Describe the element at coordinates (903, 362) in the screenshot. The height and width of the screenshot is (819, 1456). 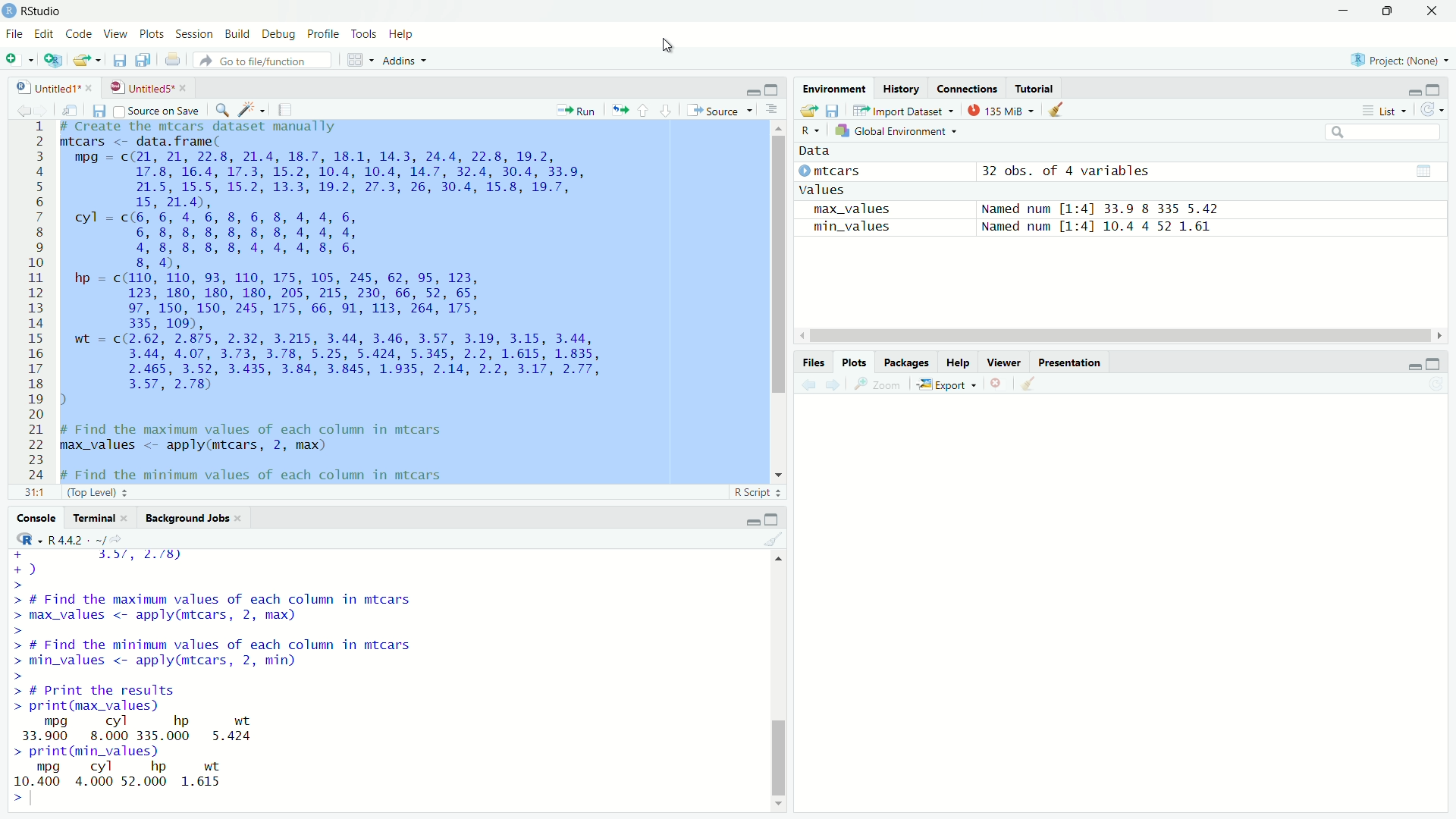
I see `Packages` at that location.